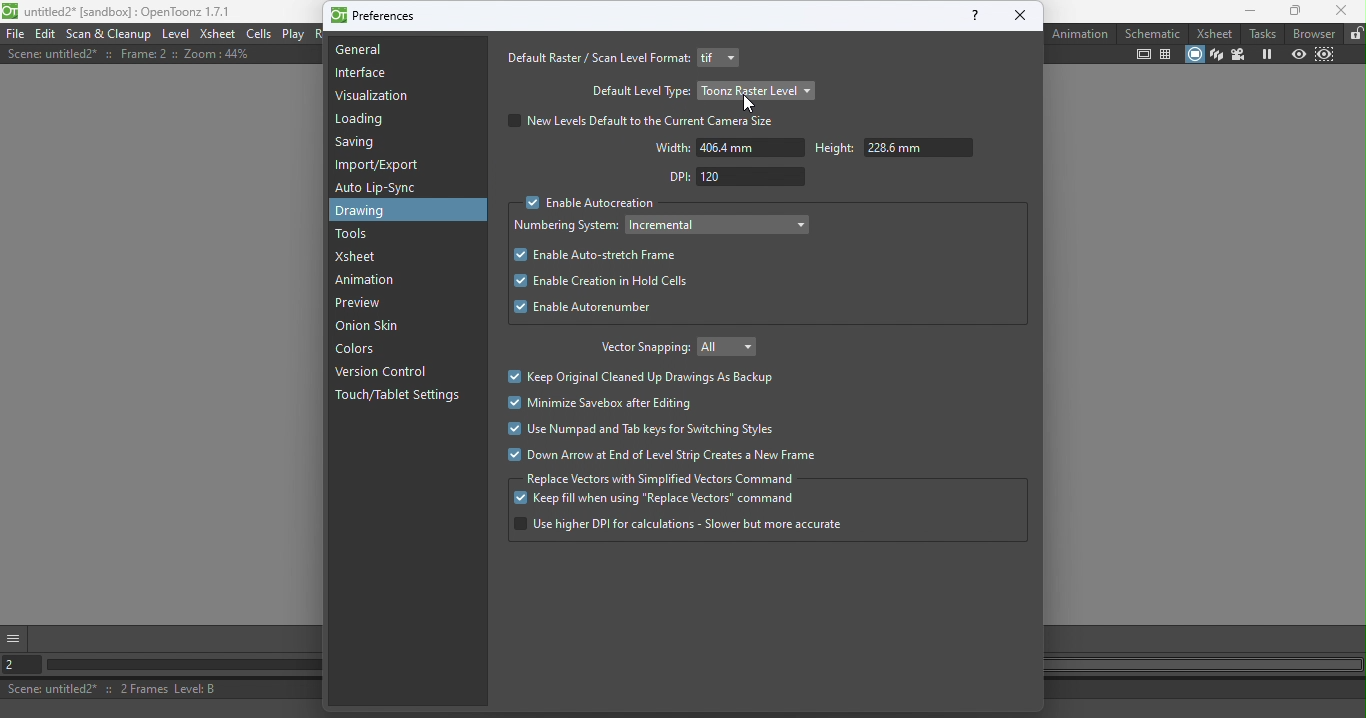 This screenshot has height=718, width=1366. What do you see at coordinates (14, 636) in the screenshot?
I see `More options` at bounding box center [14, 636].